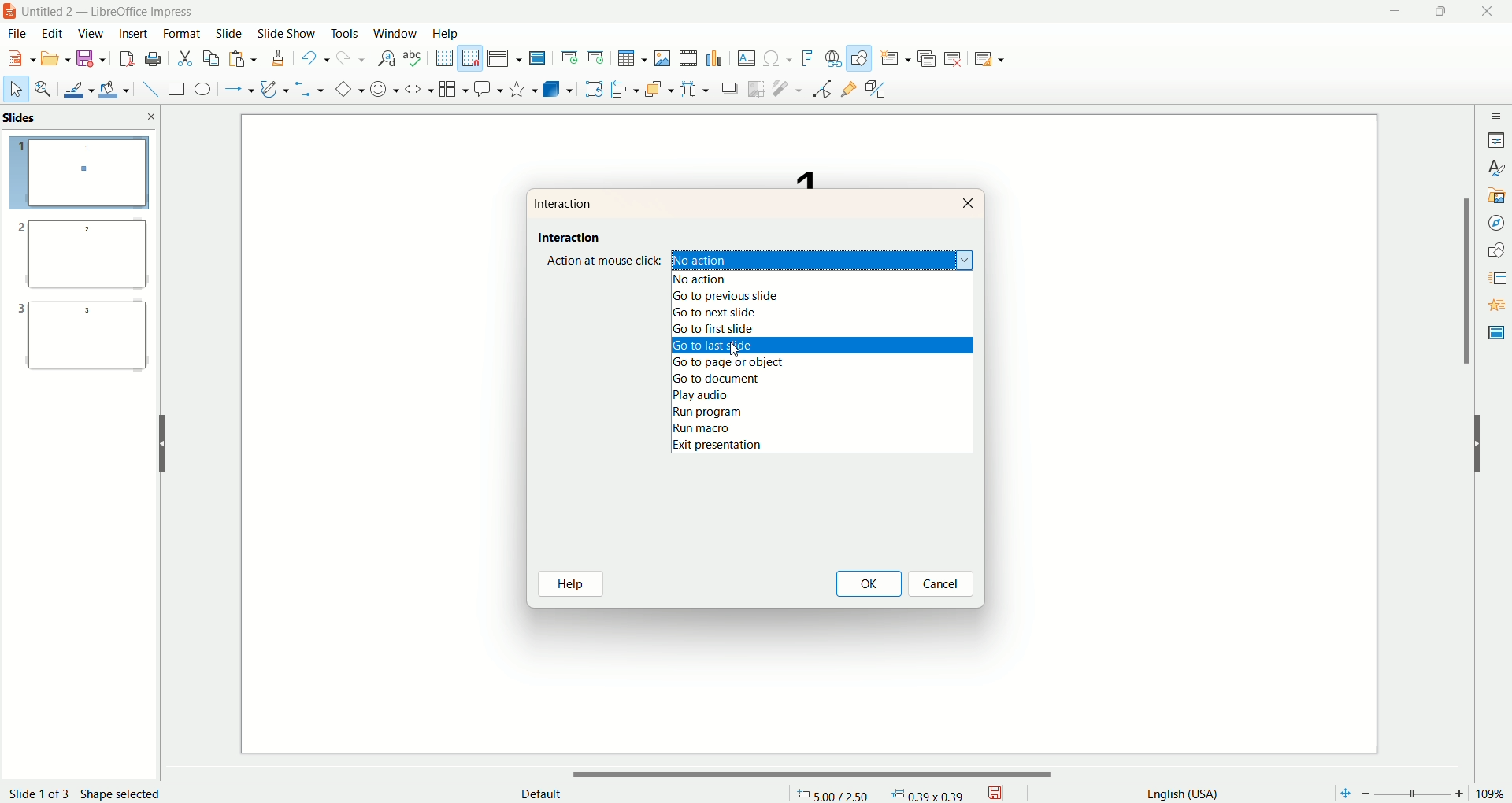 The image size is (1512, 803). What do you see at coordinates (565, 204) in the screenshot?
I see `interaction` at bounding box center [565, 204].